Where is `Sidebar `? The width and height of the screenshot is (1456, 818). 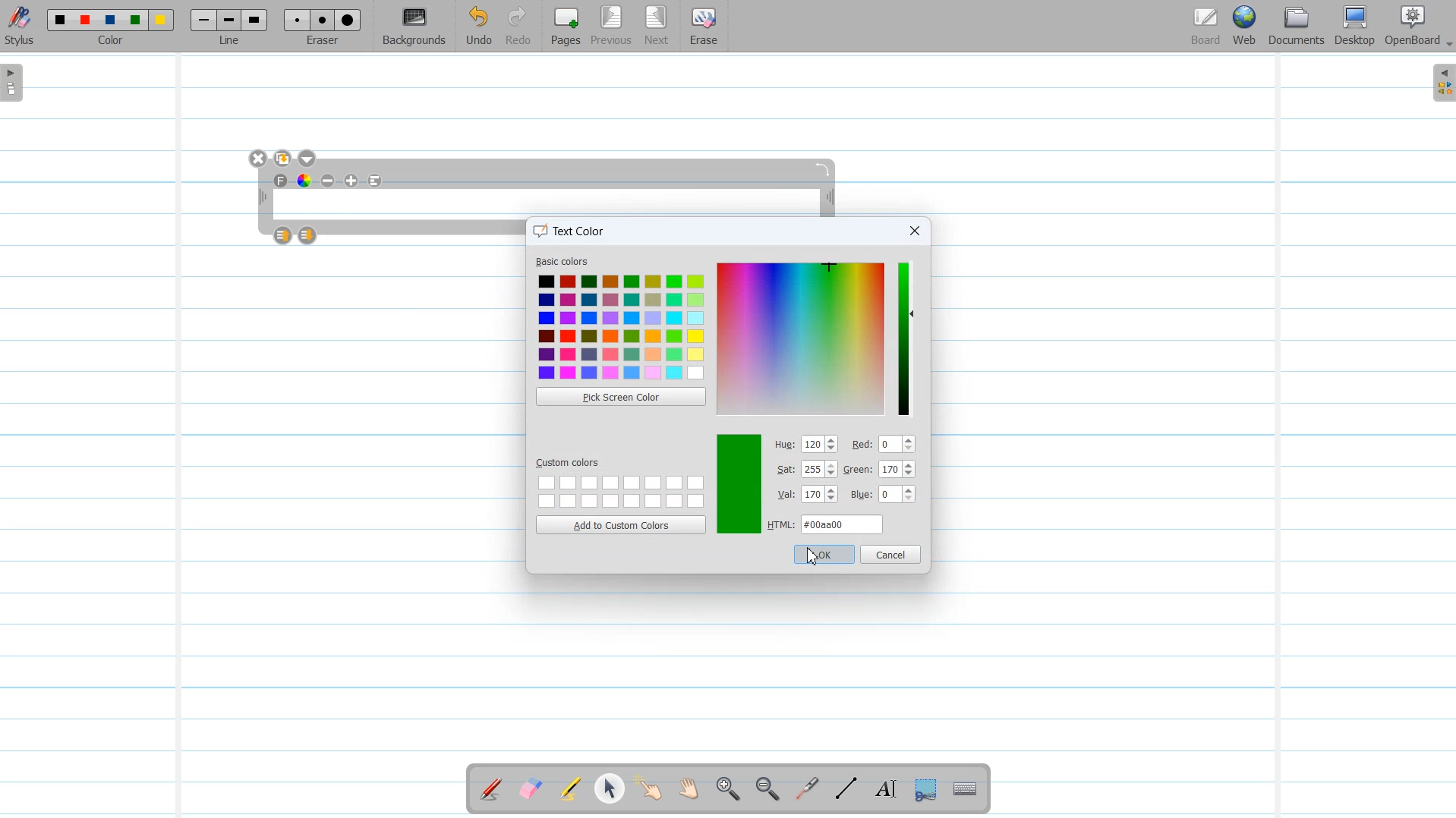 Sidebar  is located at coordinates (1441, 83).